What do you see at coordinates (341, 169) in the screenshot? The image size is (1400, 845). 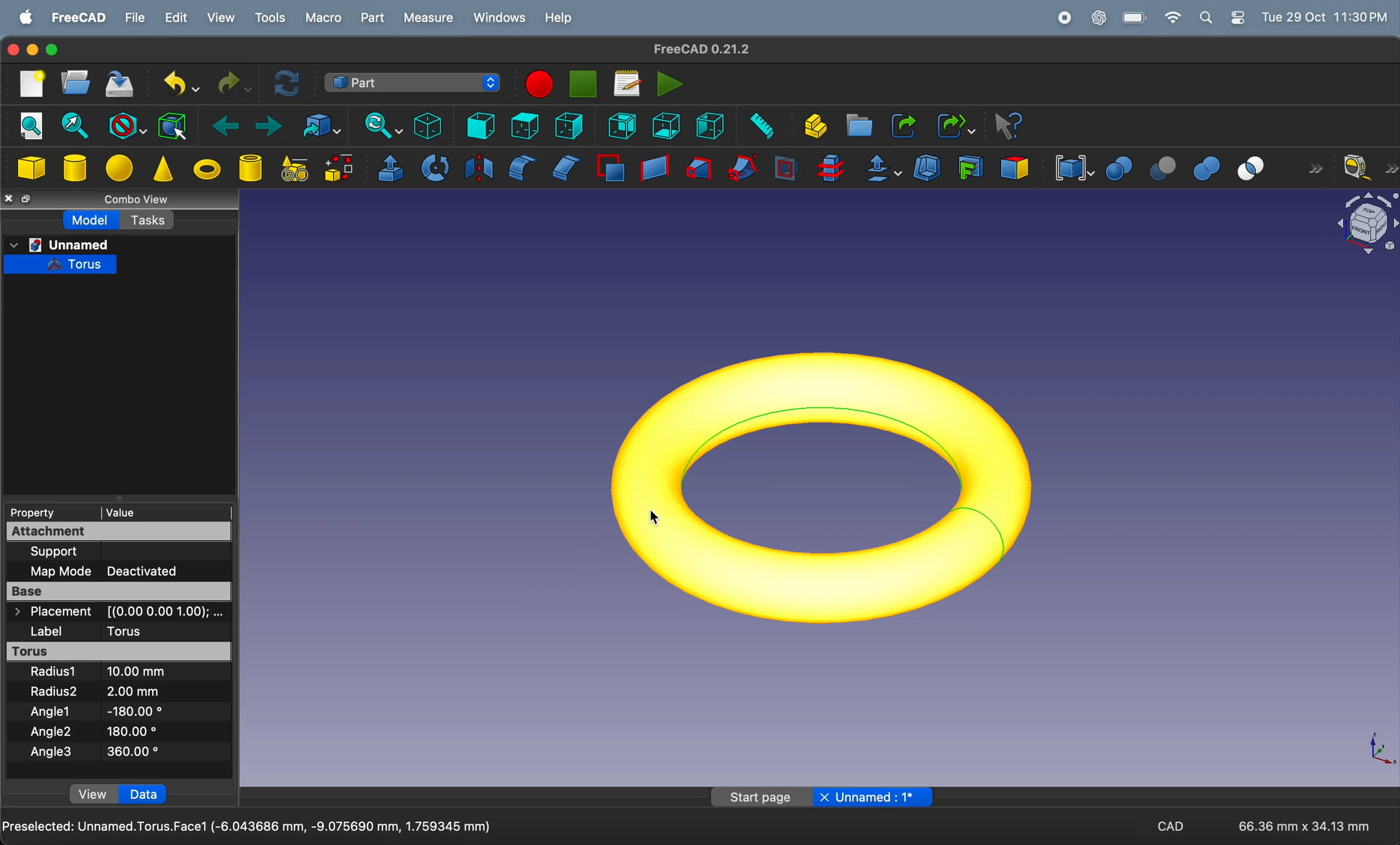 I see `shape builder` at bounding box center [341, 169].